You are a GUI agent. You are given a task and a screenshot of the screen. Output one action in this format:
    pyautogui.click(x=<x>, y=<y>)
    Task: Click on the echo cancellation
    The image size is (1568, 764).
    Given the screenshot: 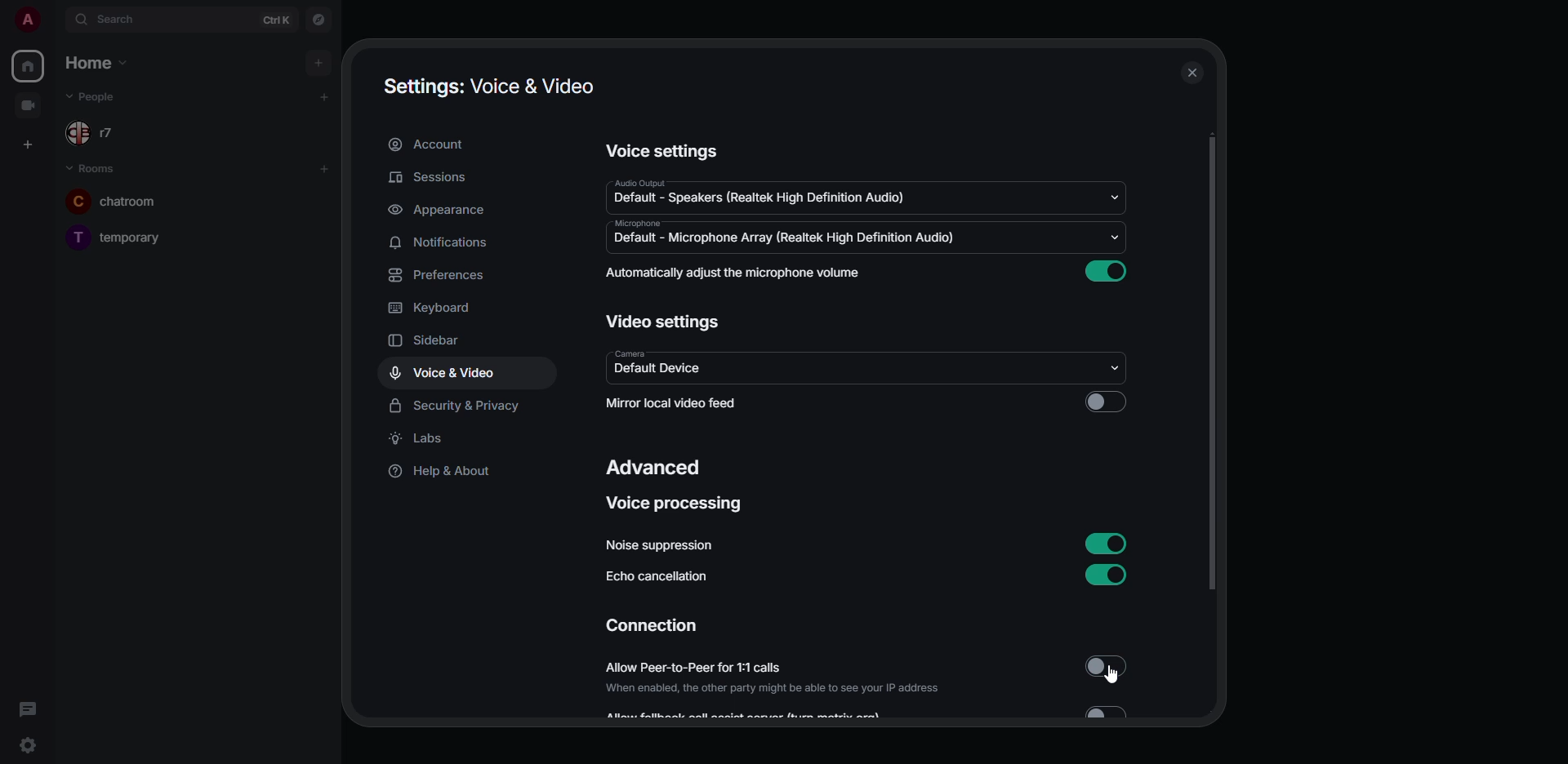 What is the action you would take?
    pyautogui.click(x=659, y=579)
    